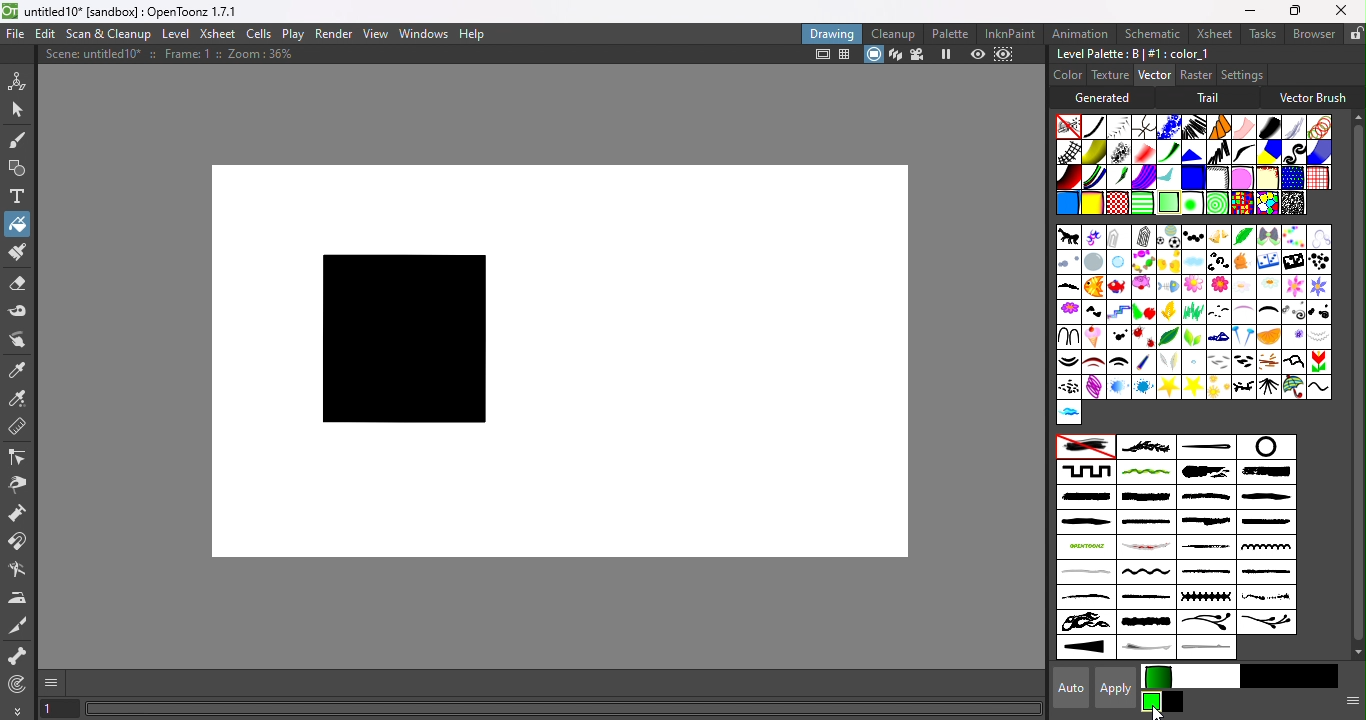 The height and width of the screenshot is (720, 1366). What do you see at coordinates (1208, 598) in the screenshot?
I see `spiked_chain` at bounding box center [1208, 598].